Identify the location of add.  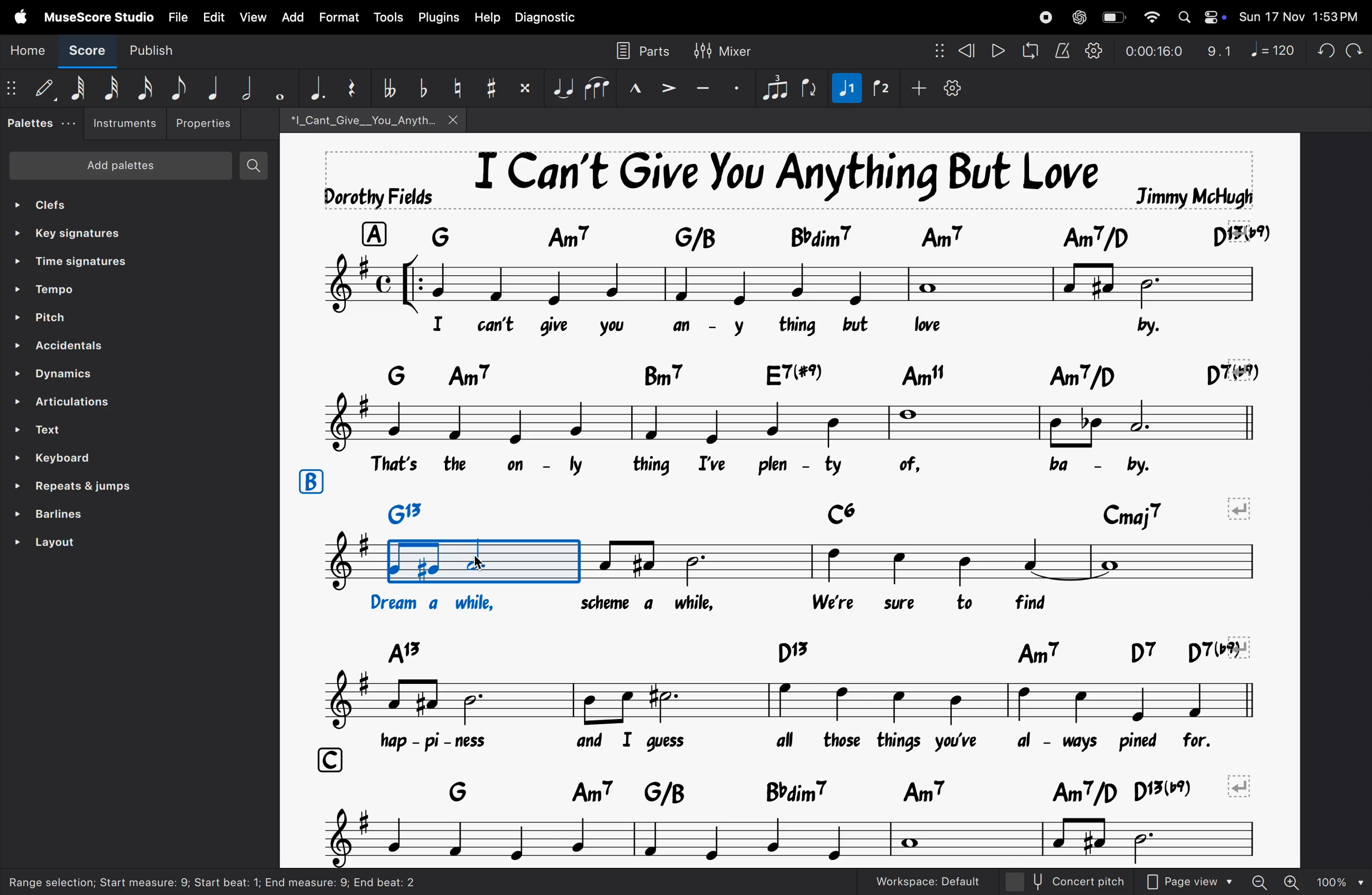
(919, 89).